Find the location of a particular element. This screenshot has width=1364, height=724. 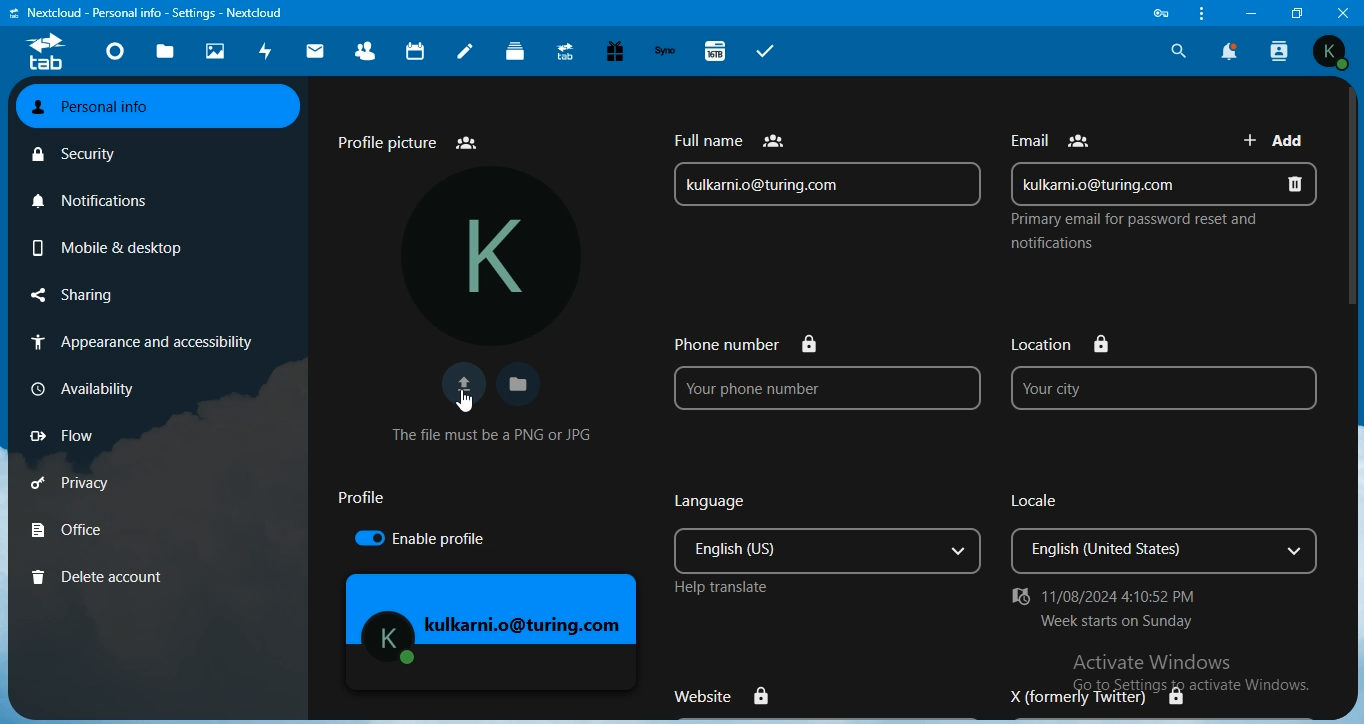

free trial is located at coordinates (616, 52).